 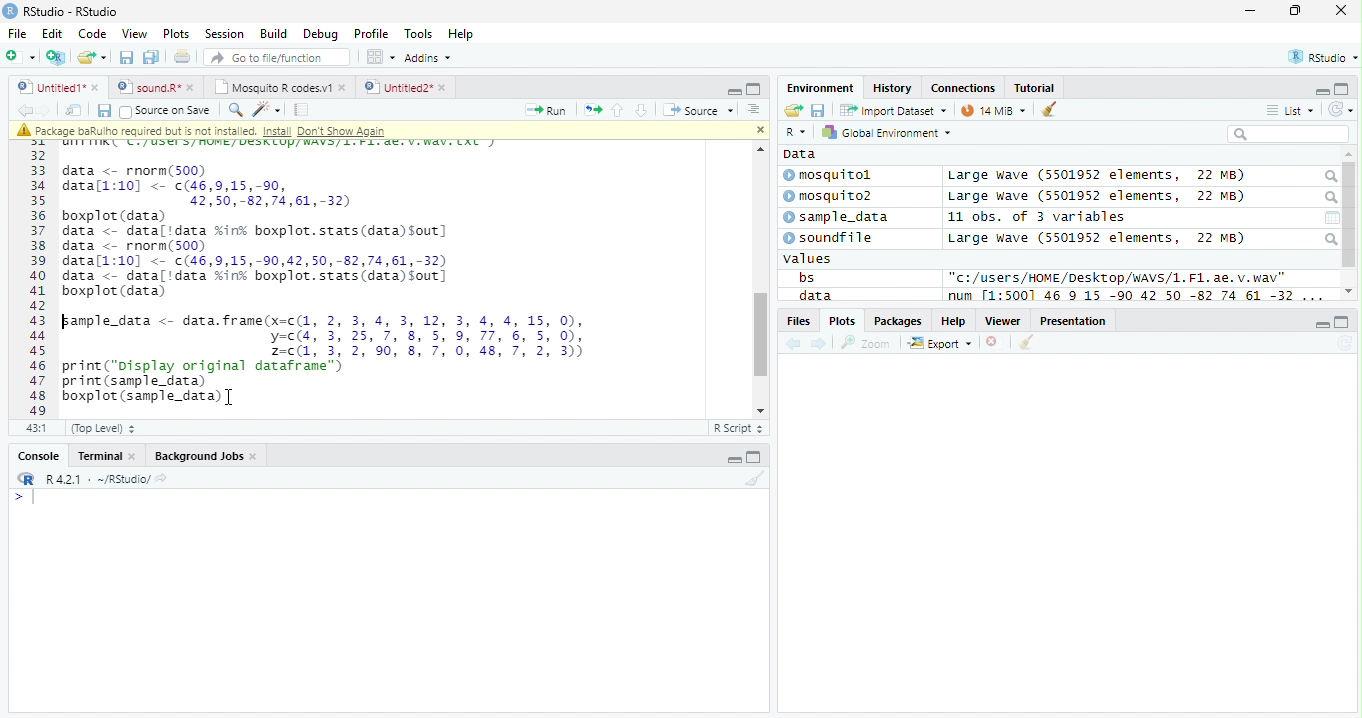 What do you see at coordinates (1349, 155) in the screenshot?
I see `scroll up` at bounding box center [1349, 155].